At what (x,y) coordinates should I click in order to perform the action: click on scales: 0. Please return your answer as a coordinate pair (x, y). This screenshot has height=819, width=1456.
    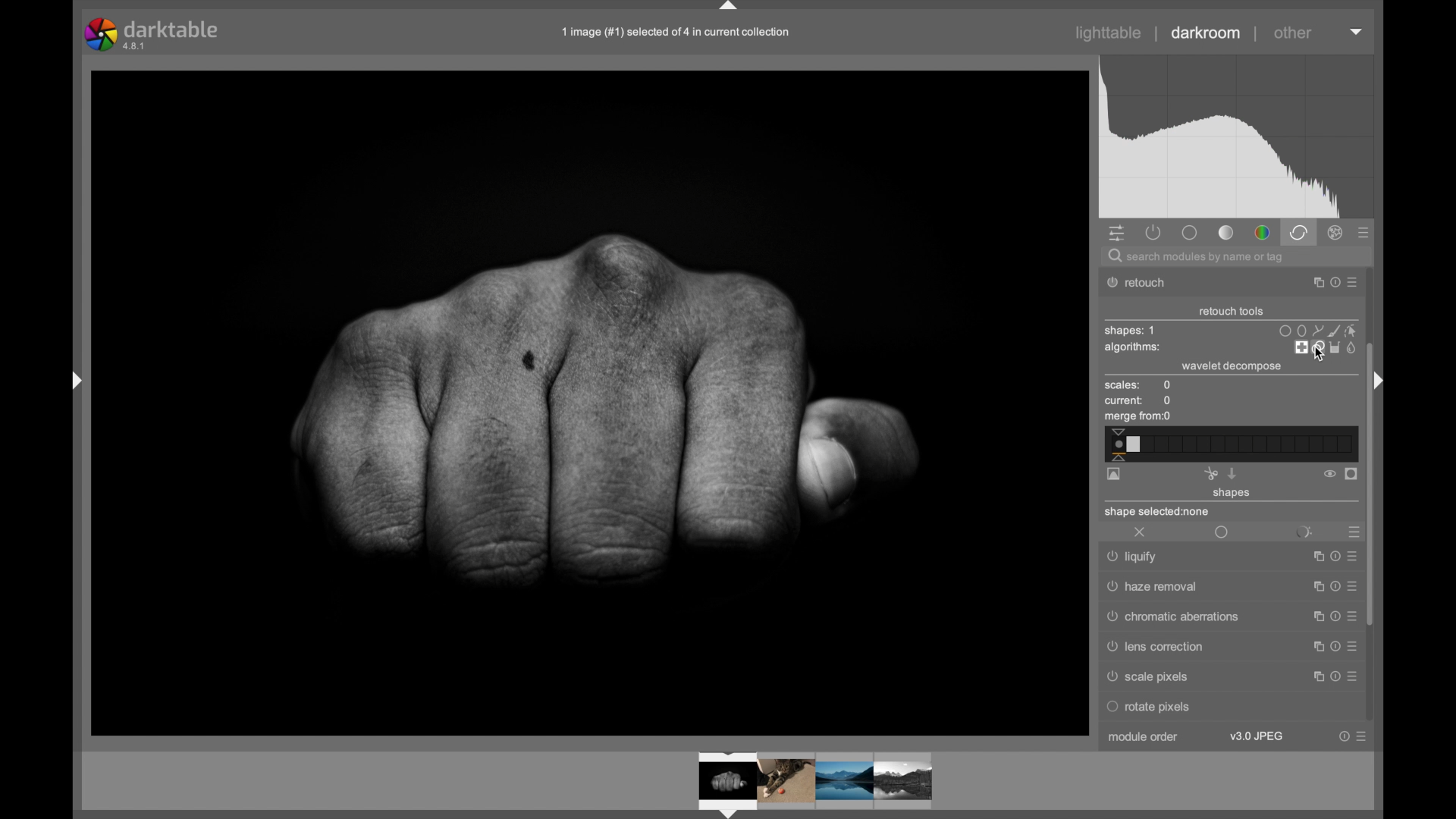
    Looking at the image, I should click on (1138, 386).